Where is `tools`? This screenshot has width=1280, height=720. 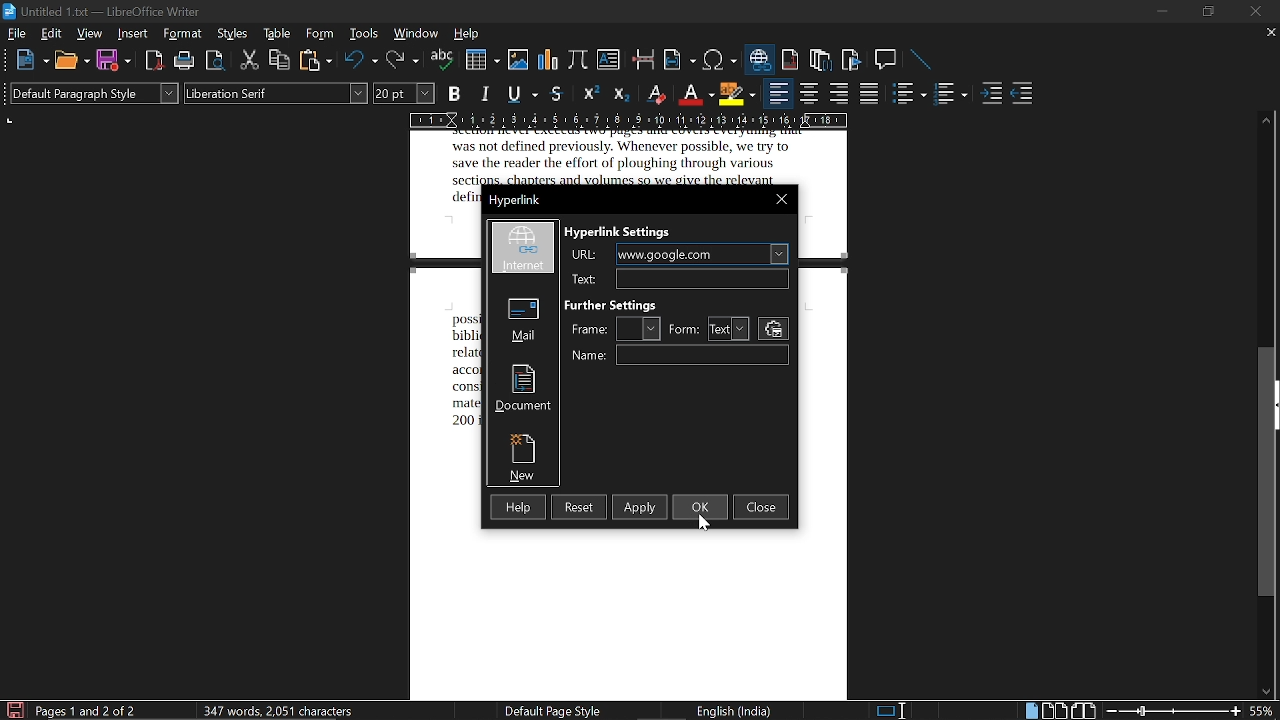
tools is located at coordinates (366, 34).